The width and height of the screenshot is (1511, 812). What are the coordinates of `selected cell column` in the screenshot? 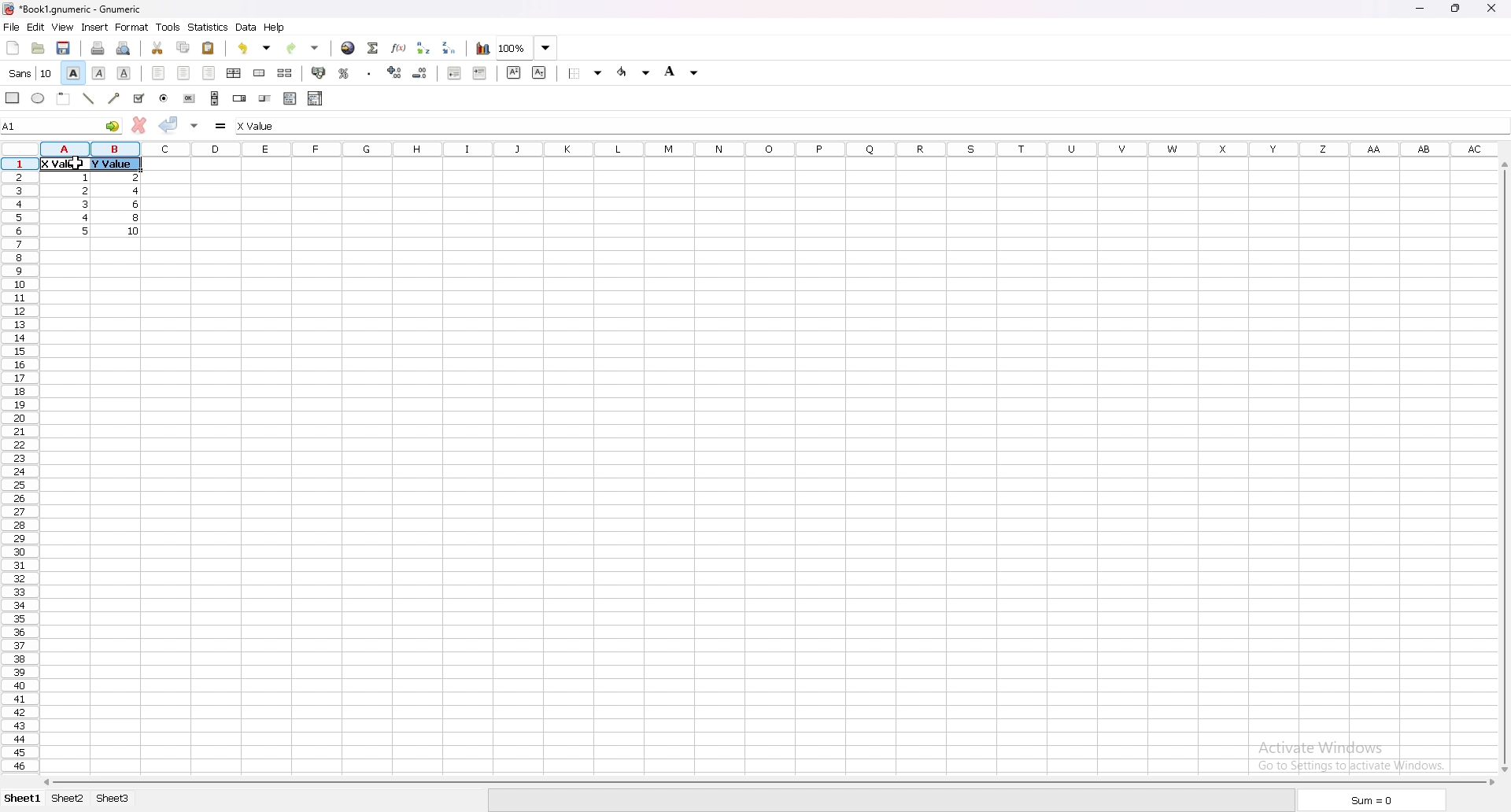 It's located at (116, 149).